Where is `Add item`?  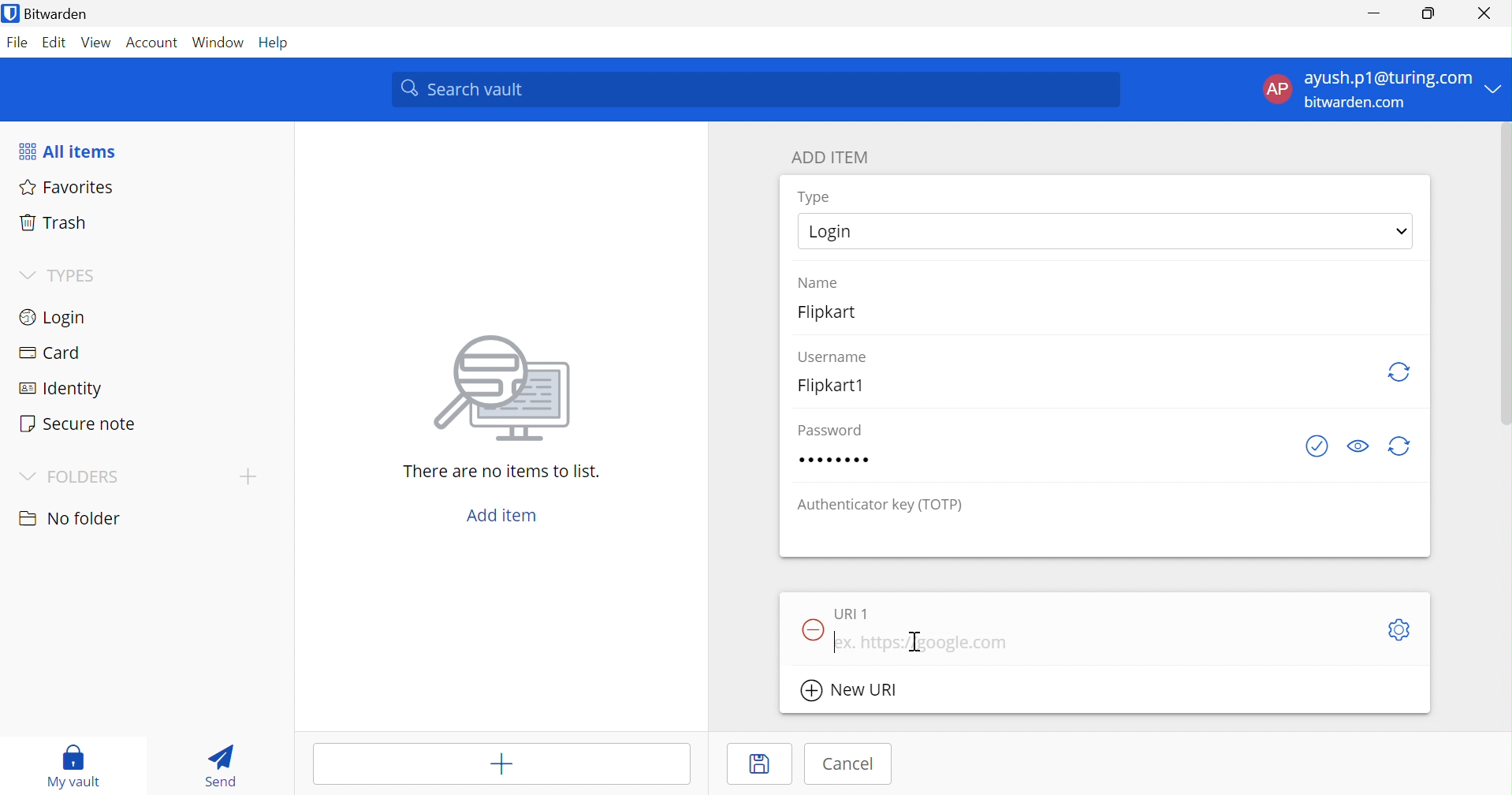
Add item is located at coordinates (501, 765).